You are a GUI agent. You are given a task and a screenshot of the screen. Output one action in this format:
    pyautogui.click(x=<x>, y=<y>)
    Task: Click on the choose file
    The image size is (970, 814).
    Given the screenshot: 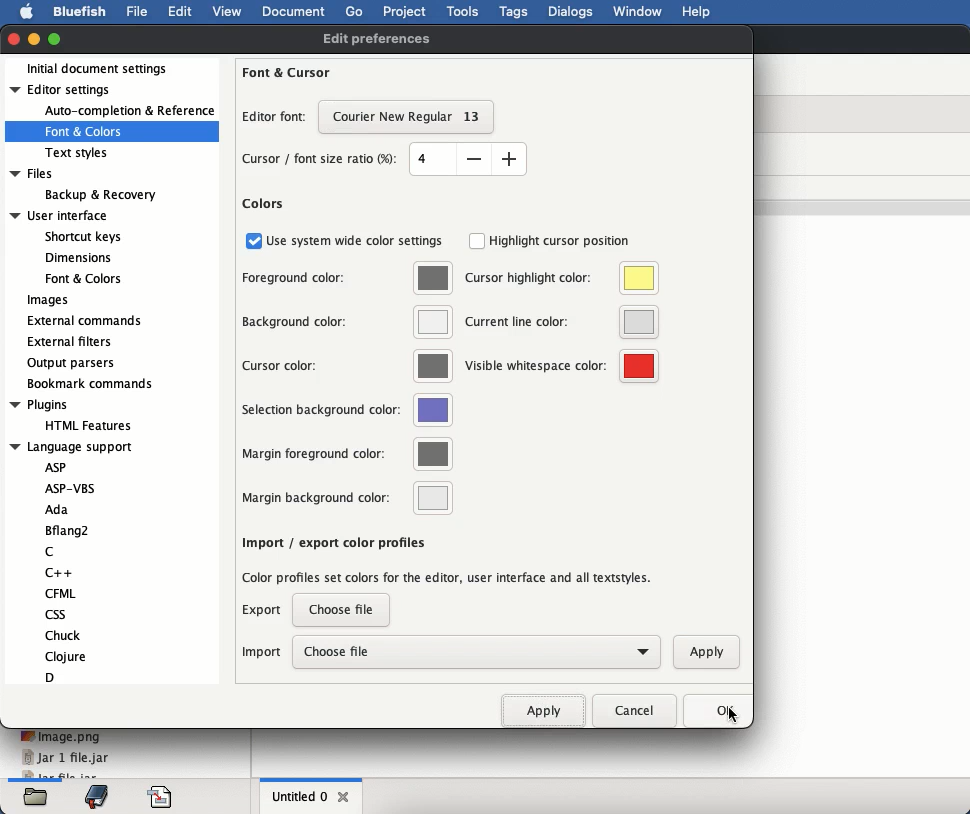 What is the action you would take?
    pyautogui.click(x=475, y=651)
    